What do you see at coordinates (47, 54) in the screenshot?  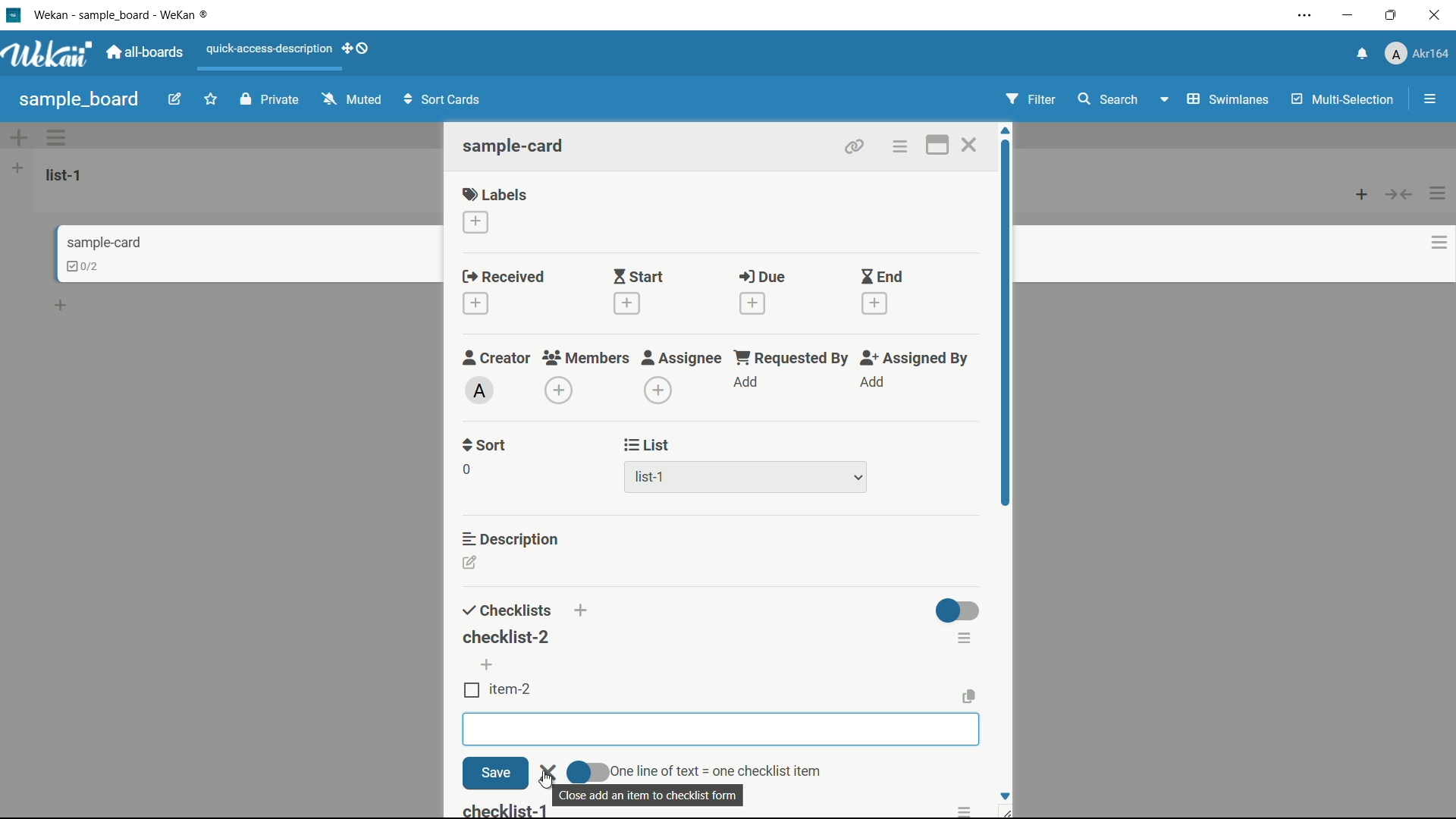 I see `app logo` at bounding box center [47, 54].